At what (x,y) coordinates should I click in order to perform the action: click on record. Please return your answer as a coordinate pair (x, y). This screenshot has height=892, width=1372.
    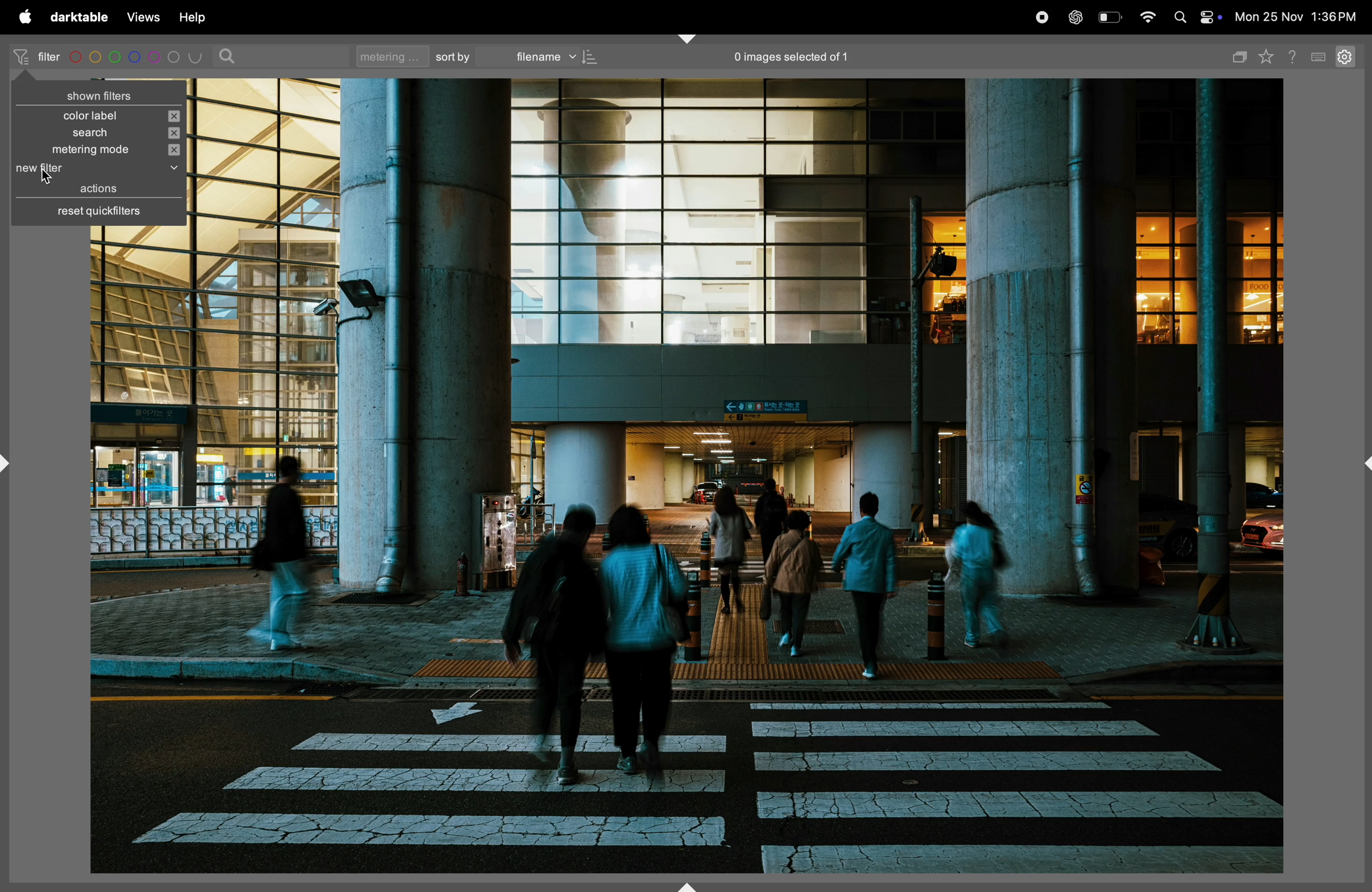
    Looking at the image, I should click on (1044, 16).